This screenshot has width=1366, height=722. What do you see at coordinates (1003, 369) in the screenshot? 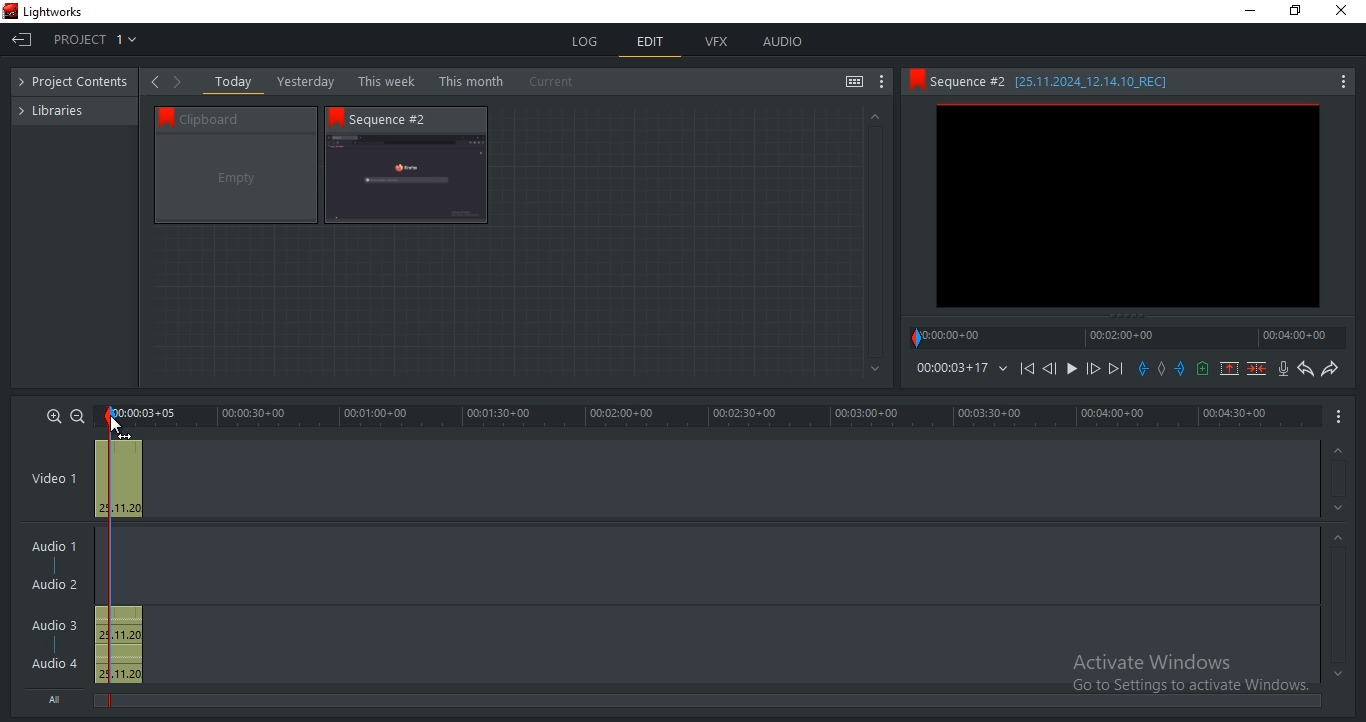
I see `Drop down arrow` at bounding box center [1003, 369].